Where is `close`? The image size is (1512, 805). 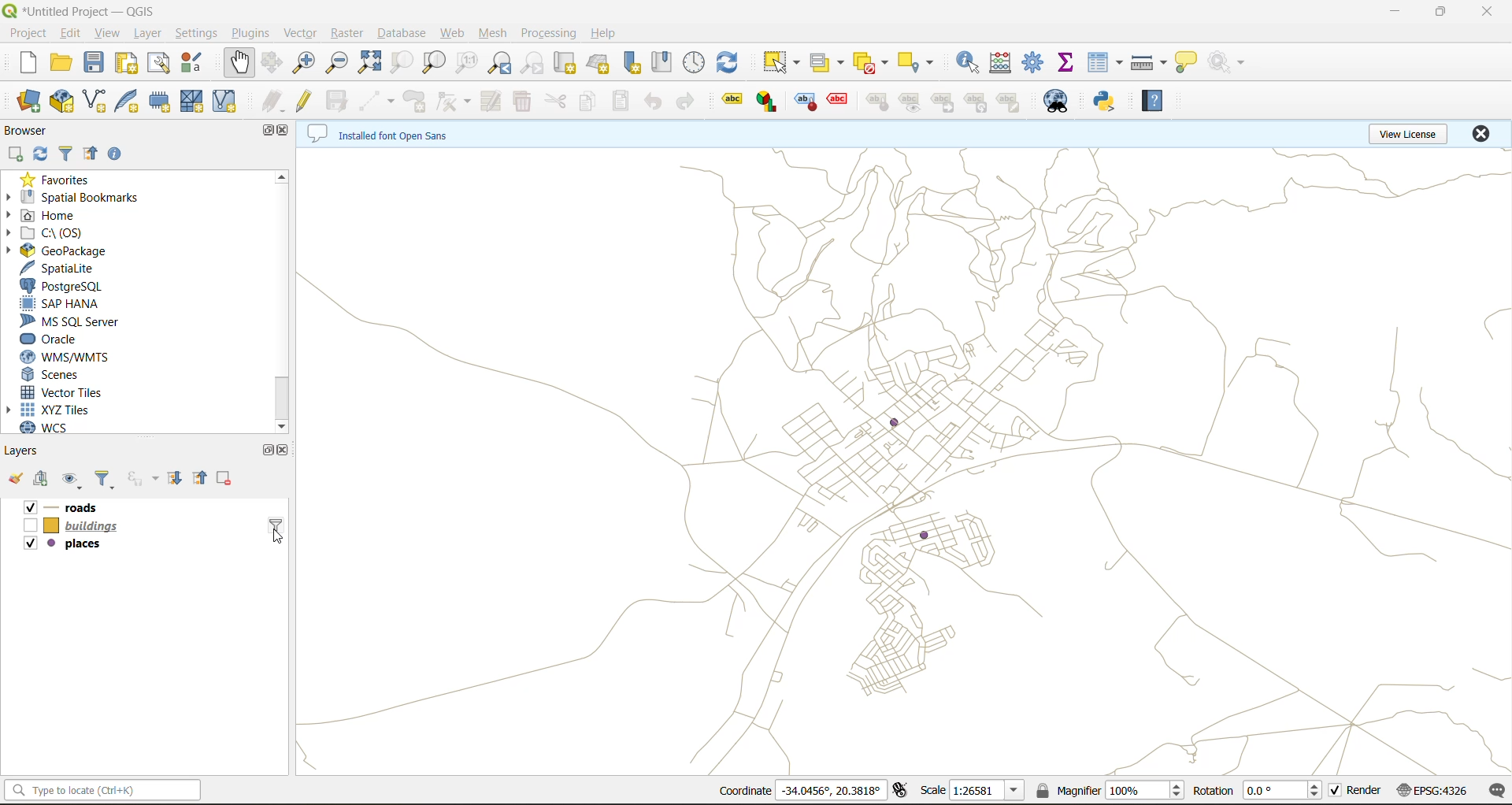 close is located at coordinates (1480, 11).